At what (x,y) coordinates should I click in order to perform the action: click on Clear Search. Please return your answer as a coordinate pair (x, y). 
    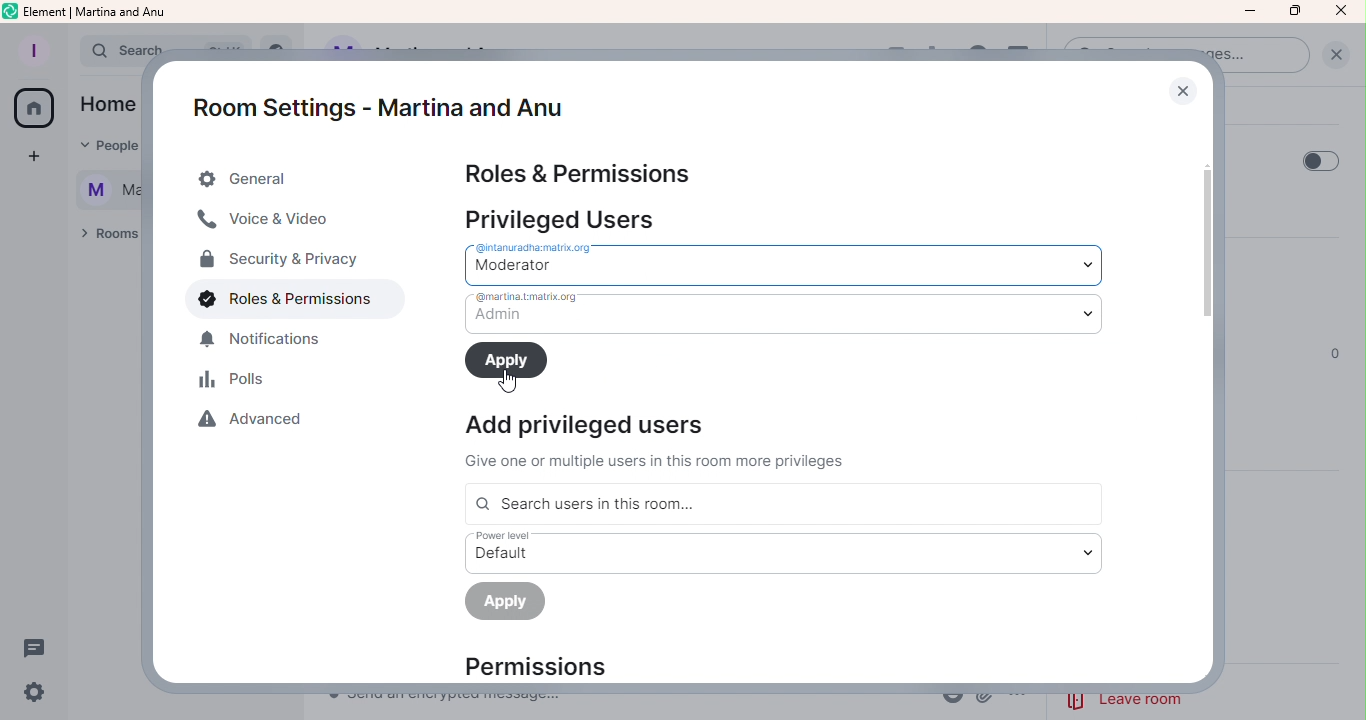
    Looking at the image, I should click on (1335, 54).